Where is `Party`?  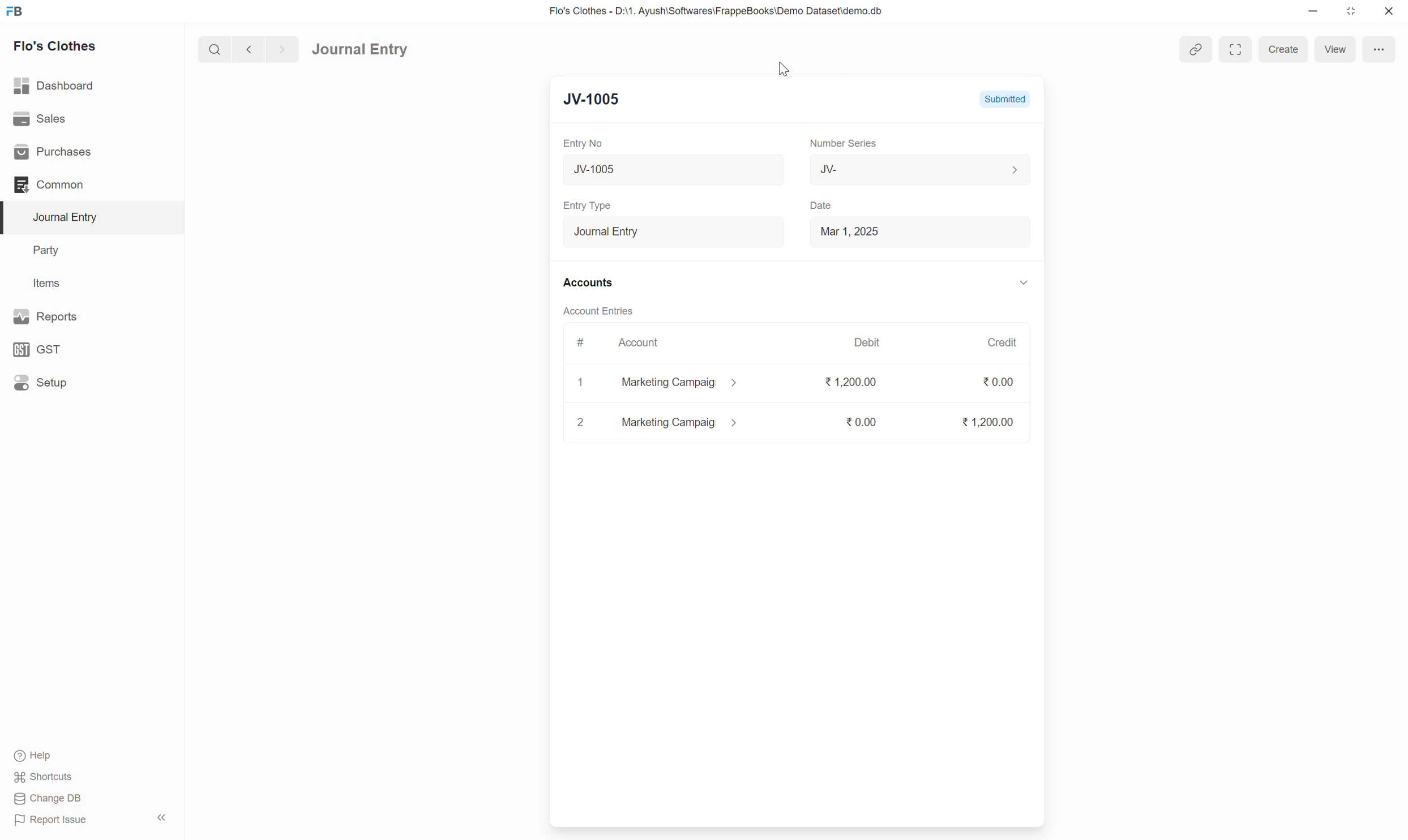 Party is located at coordinates (49, 251).